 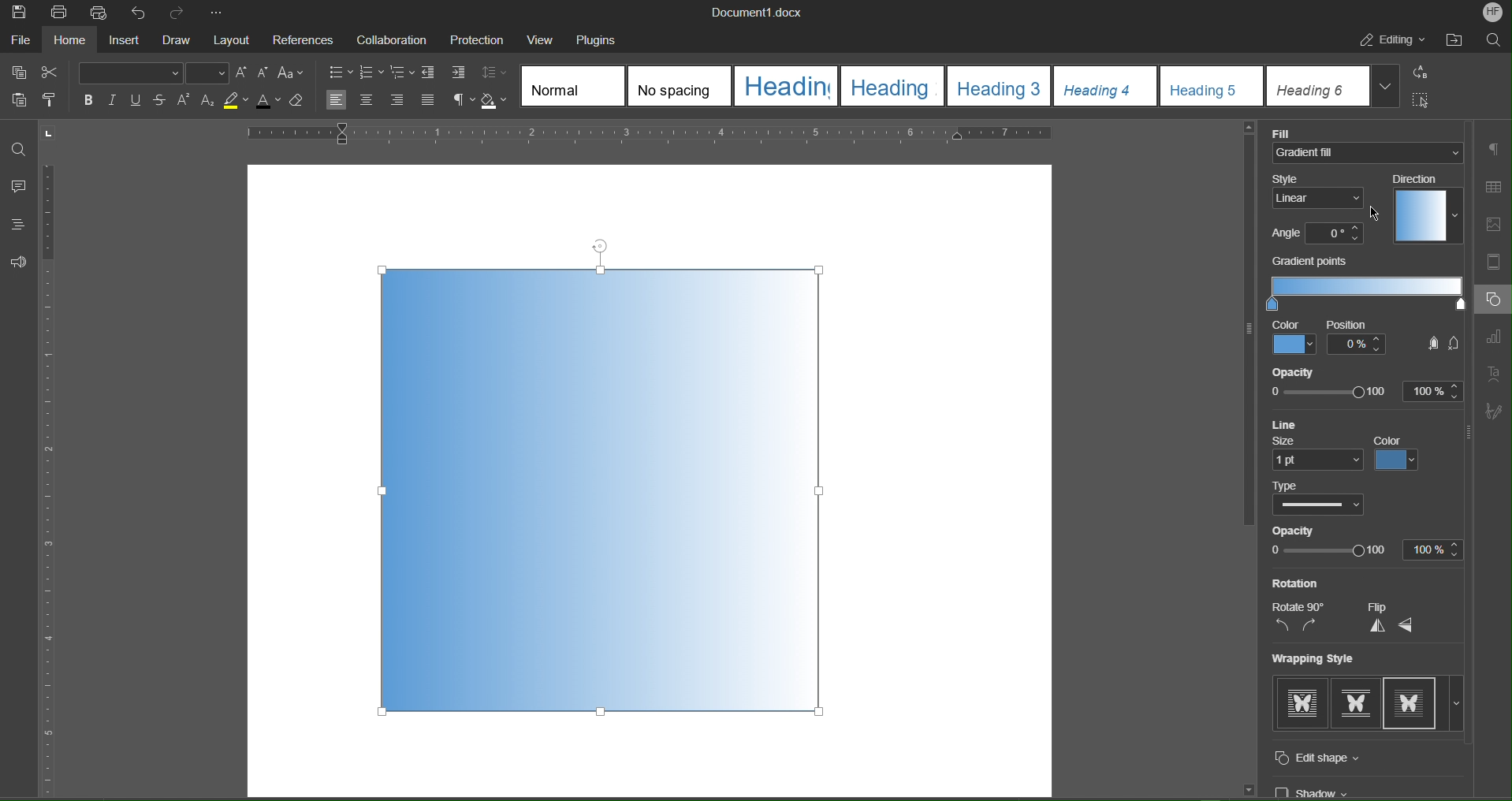 What do you see at coordinates (1316, 627) in the screenshot?
I see `90° right` at bounding box center [1316, 627].